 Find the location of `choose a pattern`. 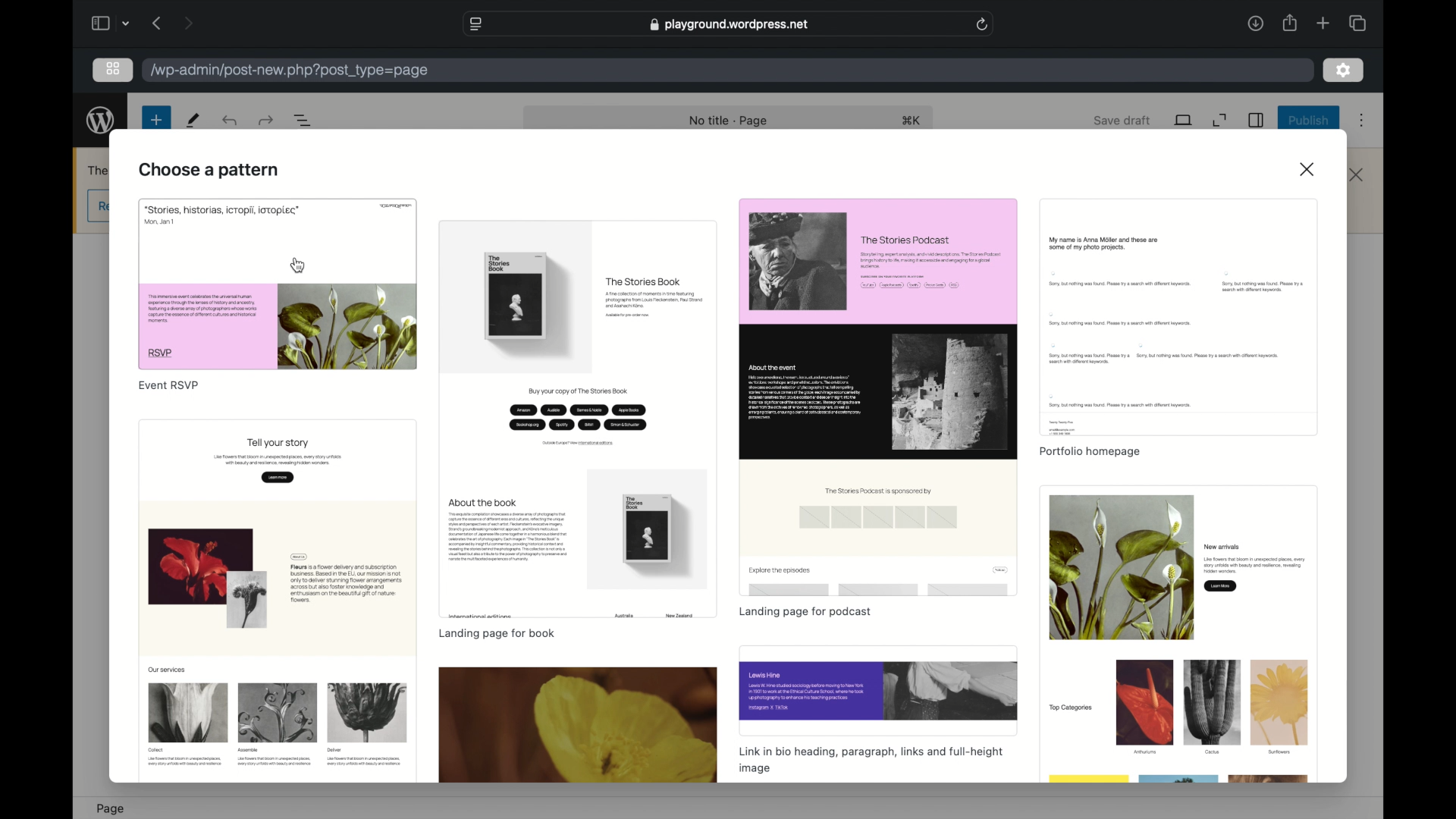

choose a pattern is located at coordinates (209, 171).